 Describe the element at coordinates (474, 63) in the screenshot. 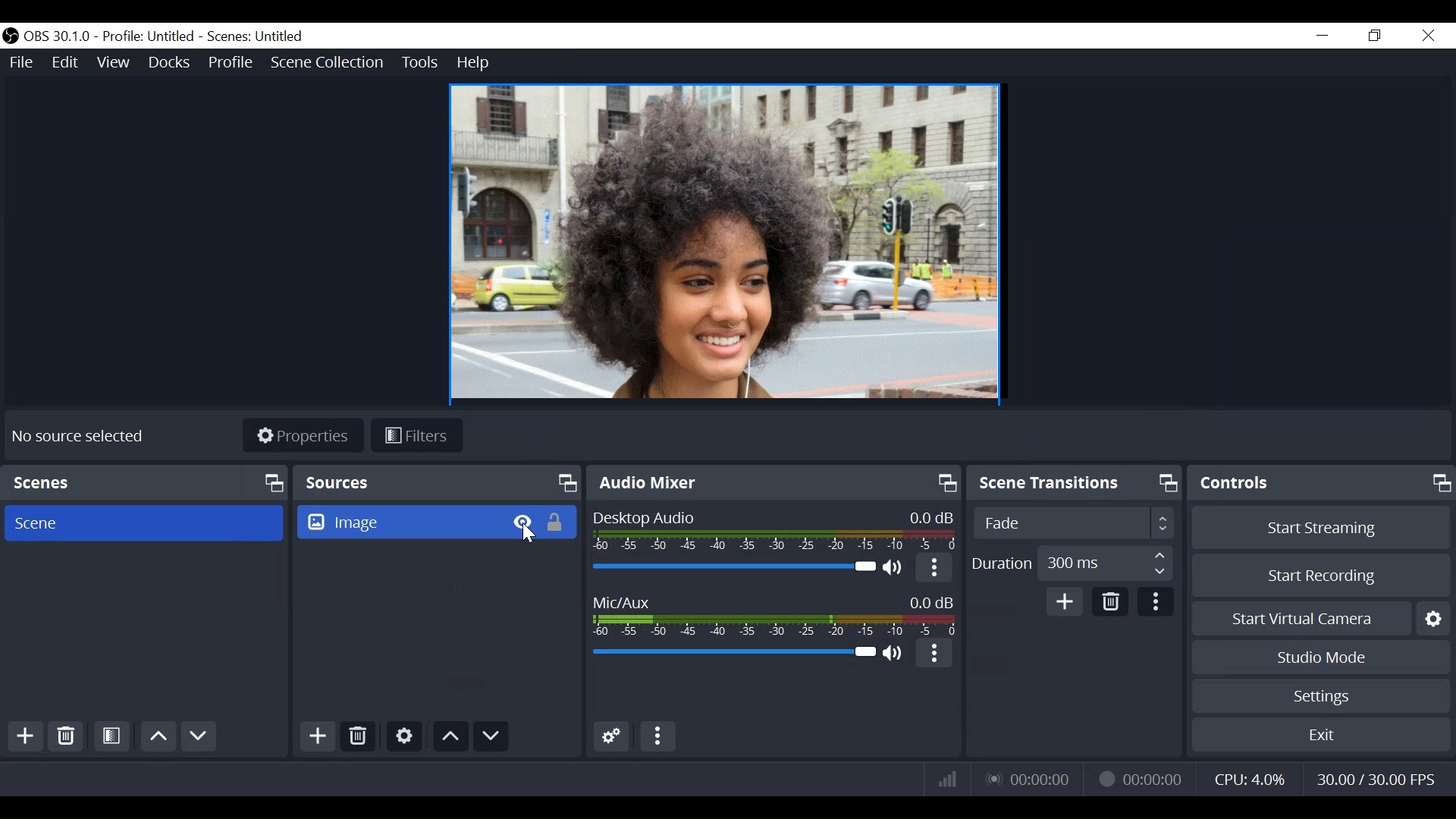

I see `Help` at that location.